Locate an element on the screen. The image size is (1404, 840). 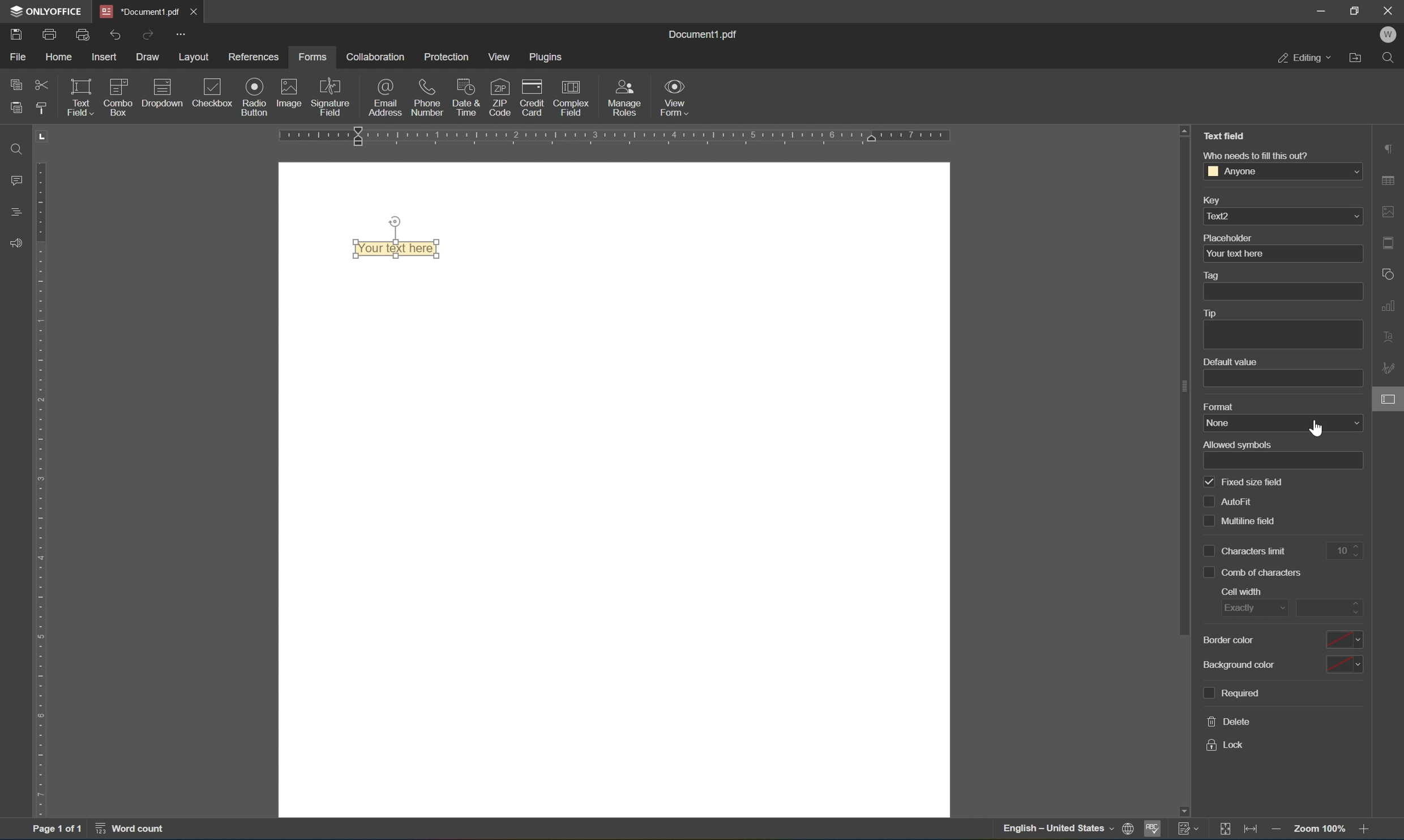
header & footer settings is located at coordinates (1389, 244).